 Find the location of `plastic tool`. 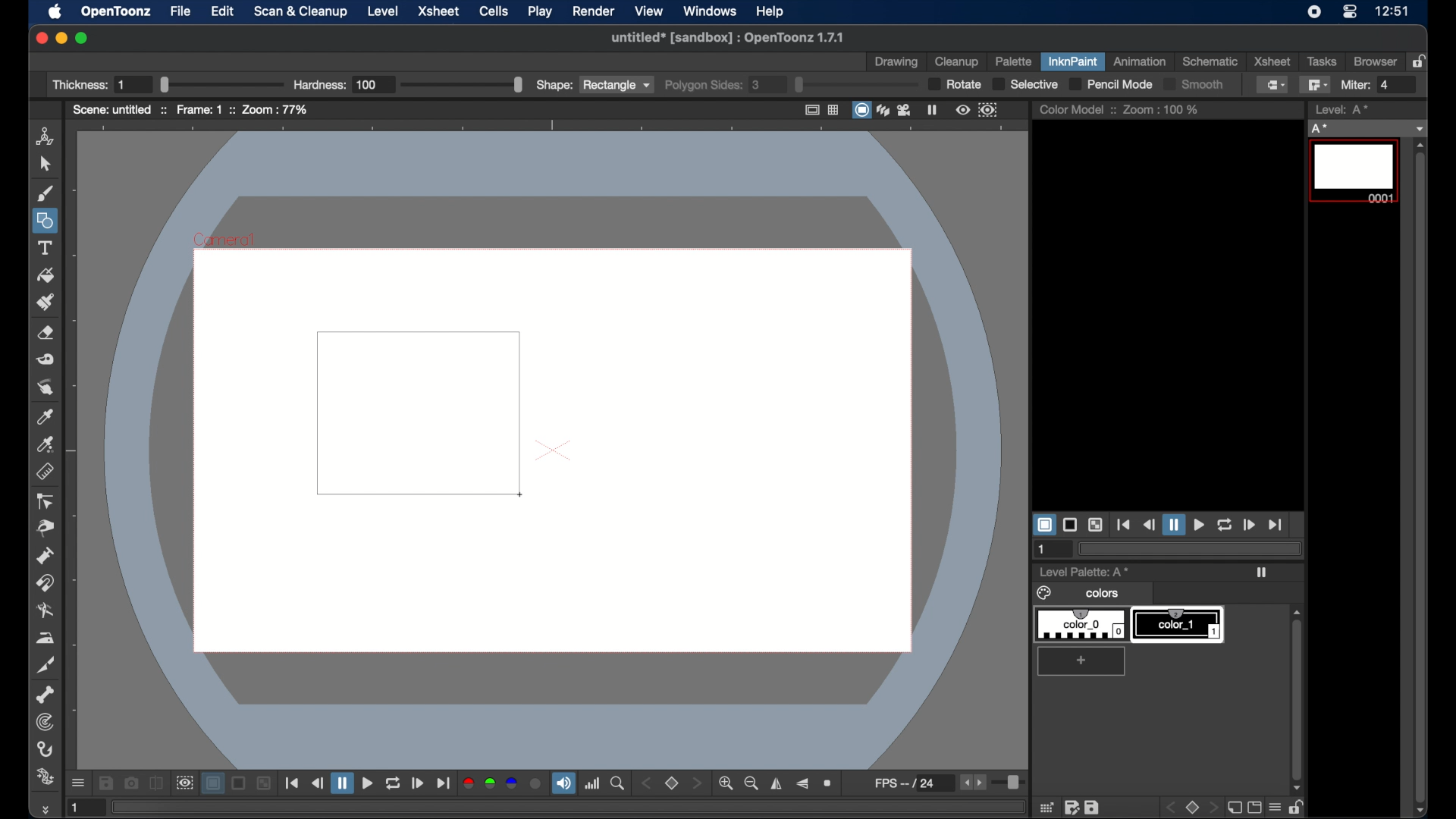

plastic tool is located at coordinates (45, 777).